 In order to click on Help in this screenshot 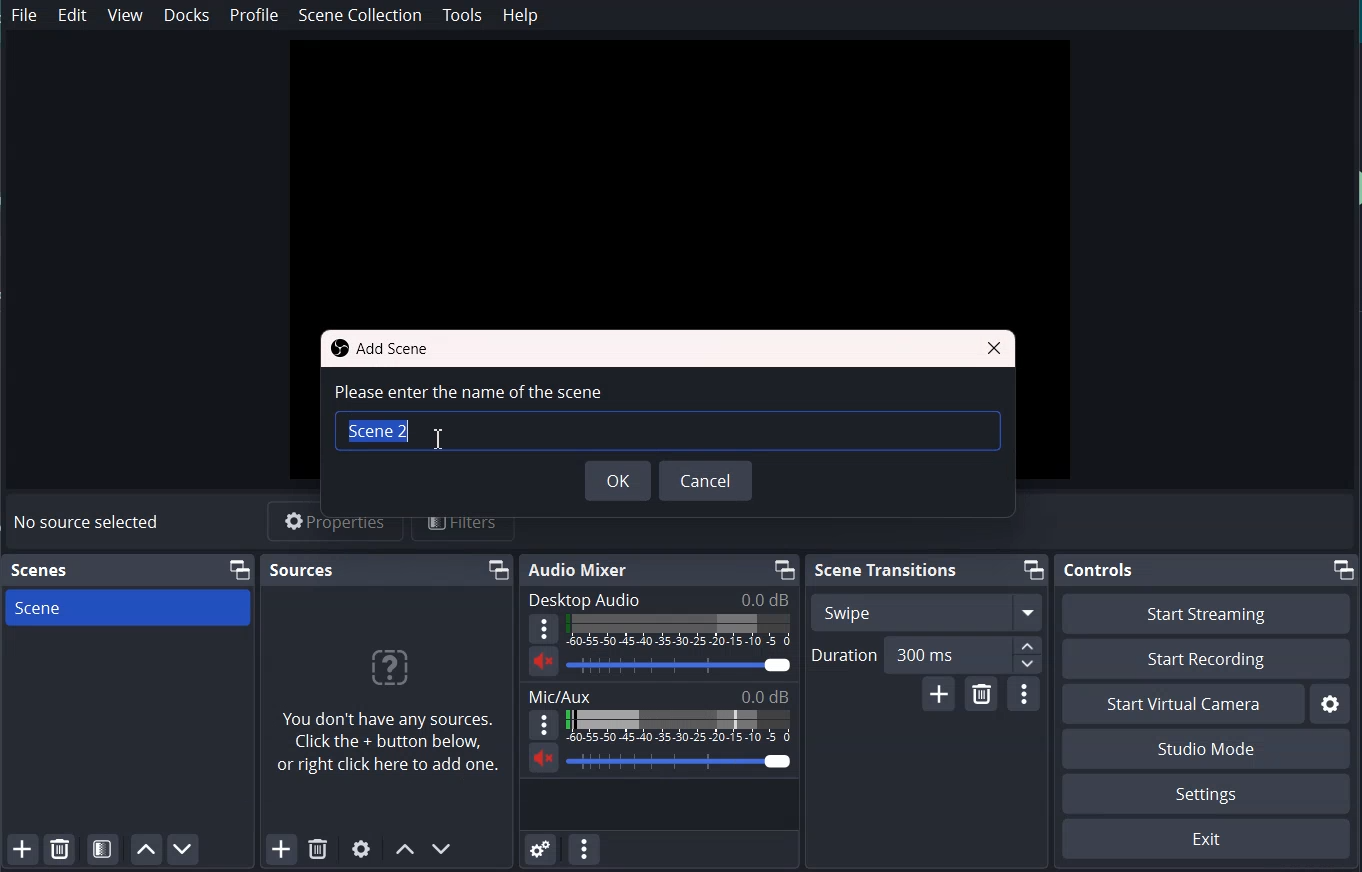, I will do `click(521, 15)`.